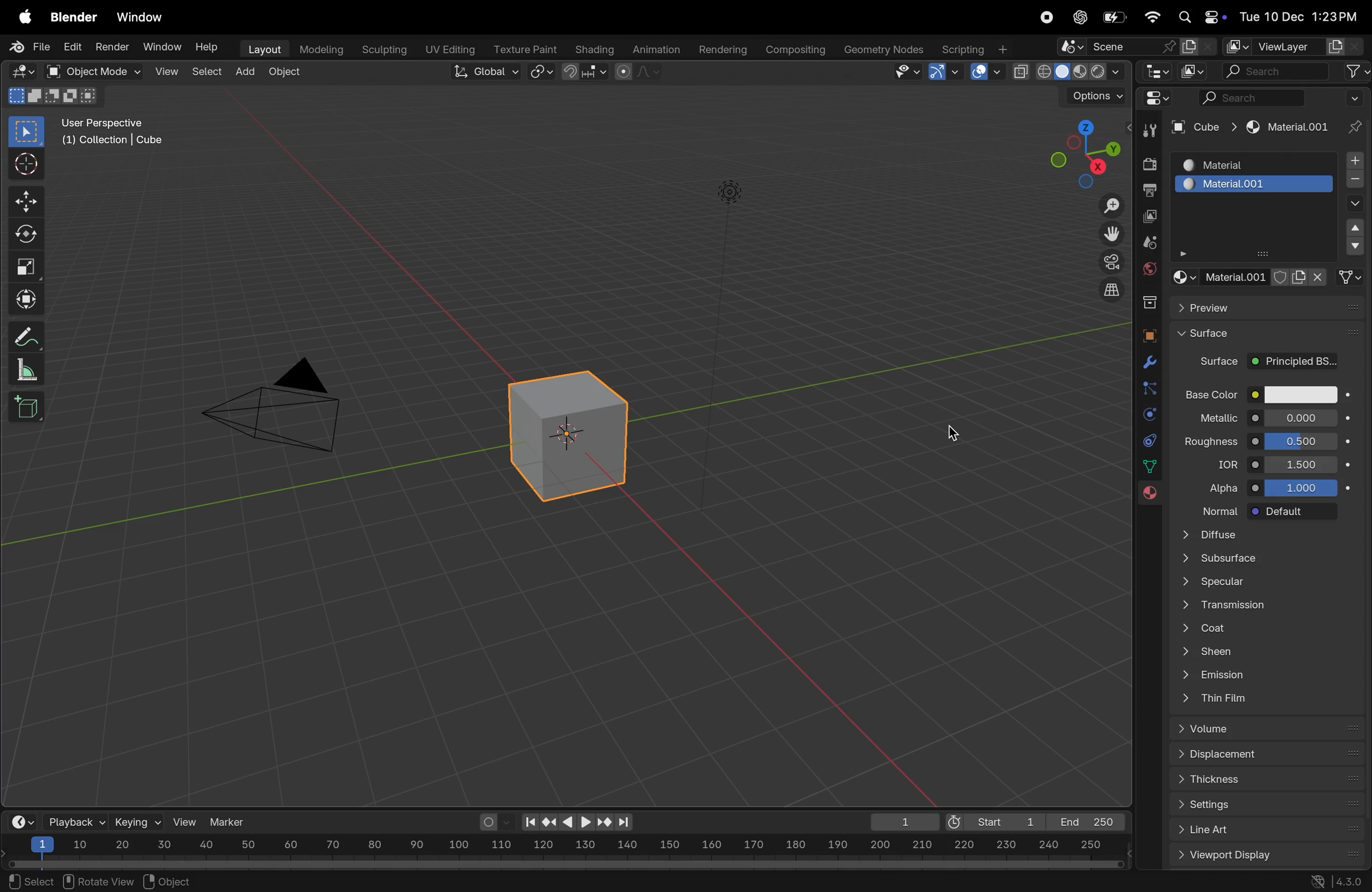 The image size is (1372, 892). What do you see at coordinates (1222, 464) in the screenshot?
I see `idr` at bounding box center [1222, 464].